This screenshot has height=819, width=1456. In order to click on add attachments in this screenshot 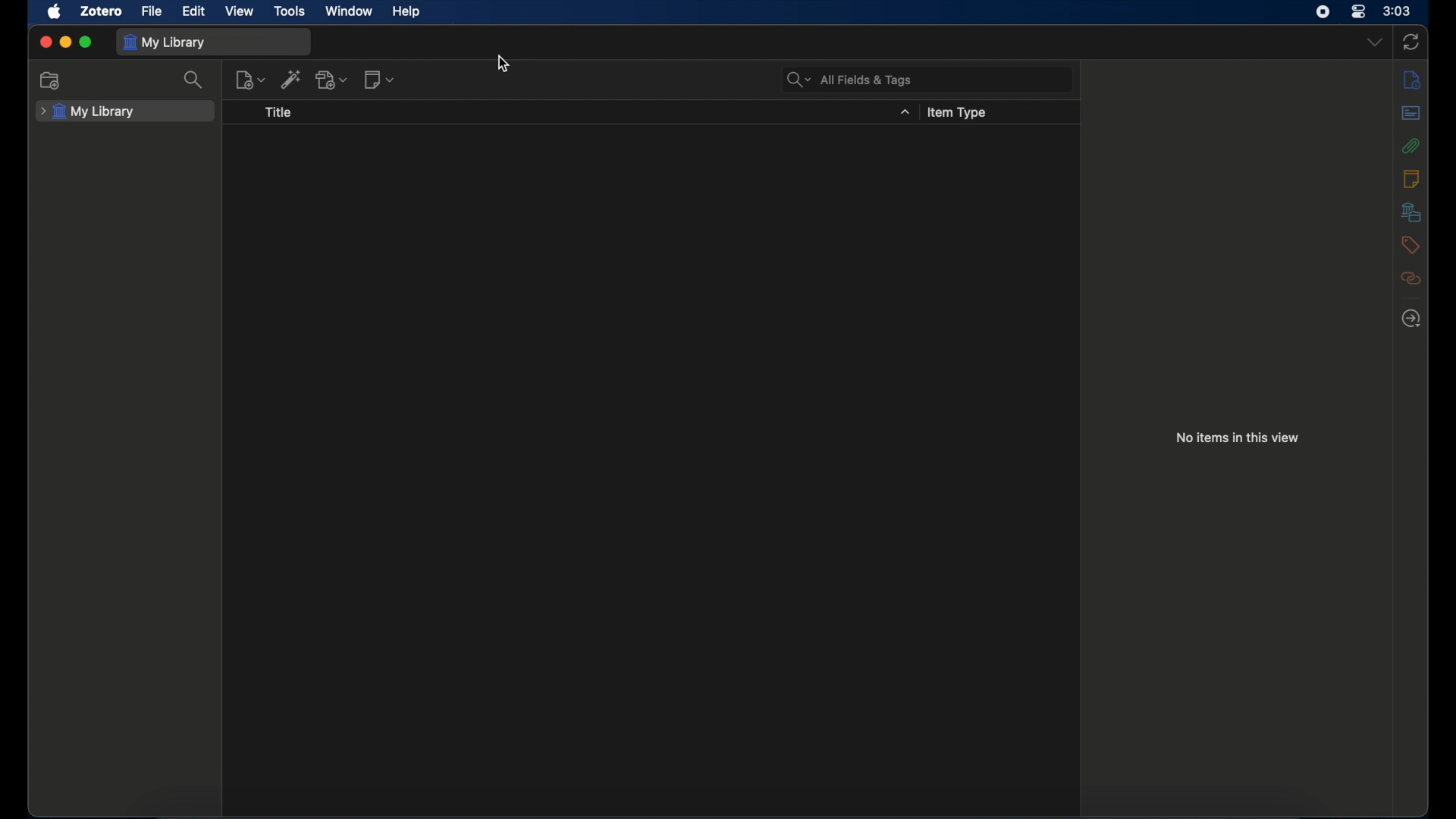, I will do `click(333, 80)`.